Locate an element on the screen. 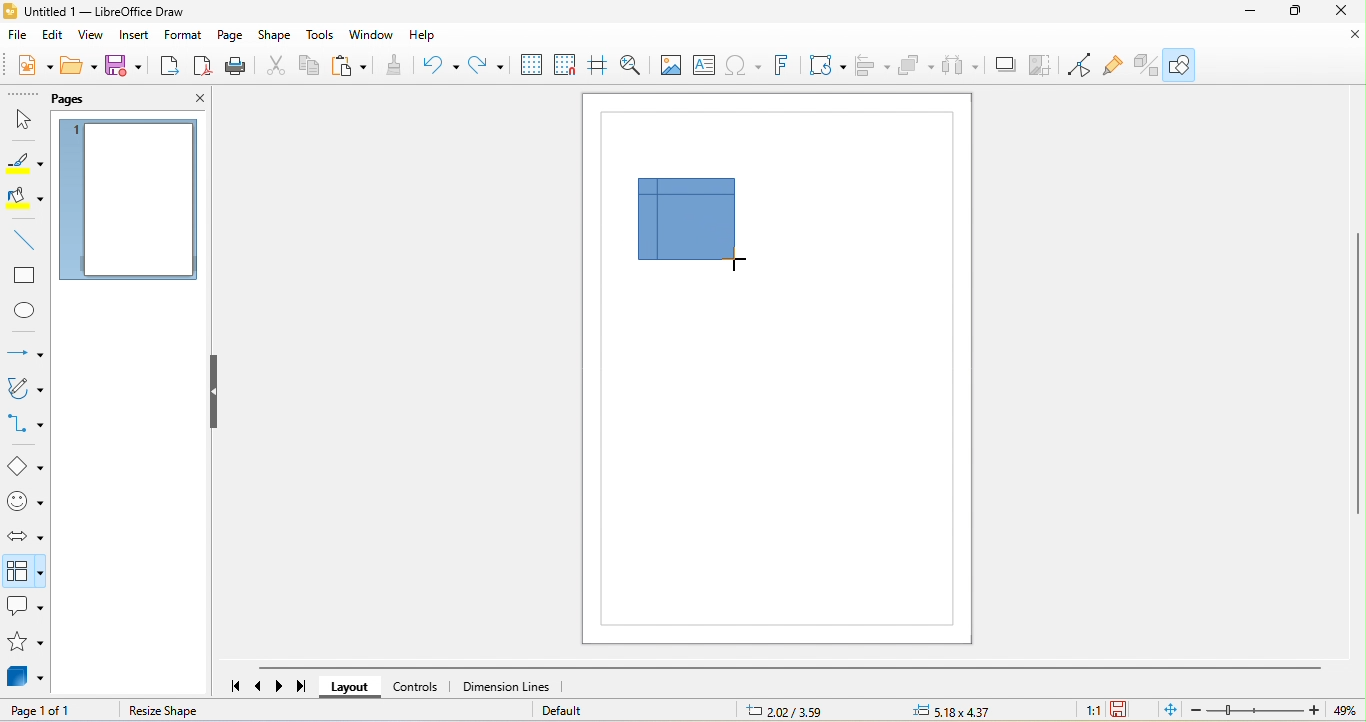  pages is located at coordinates (95, 97).